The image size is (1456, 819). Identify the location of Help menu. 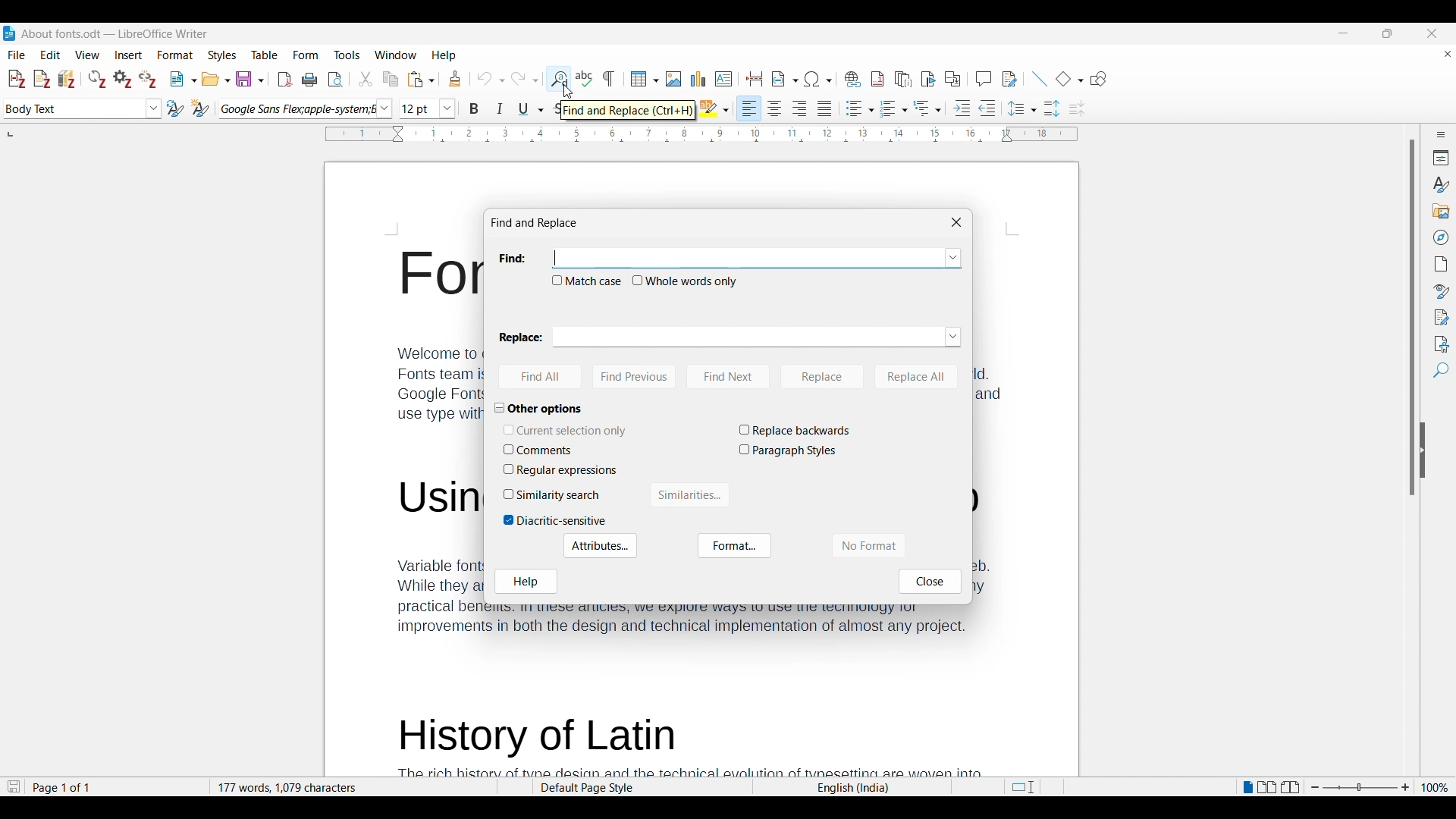
(444, 55).